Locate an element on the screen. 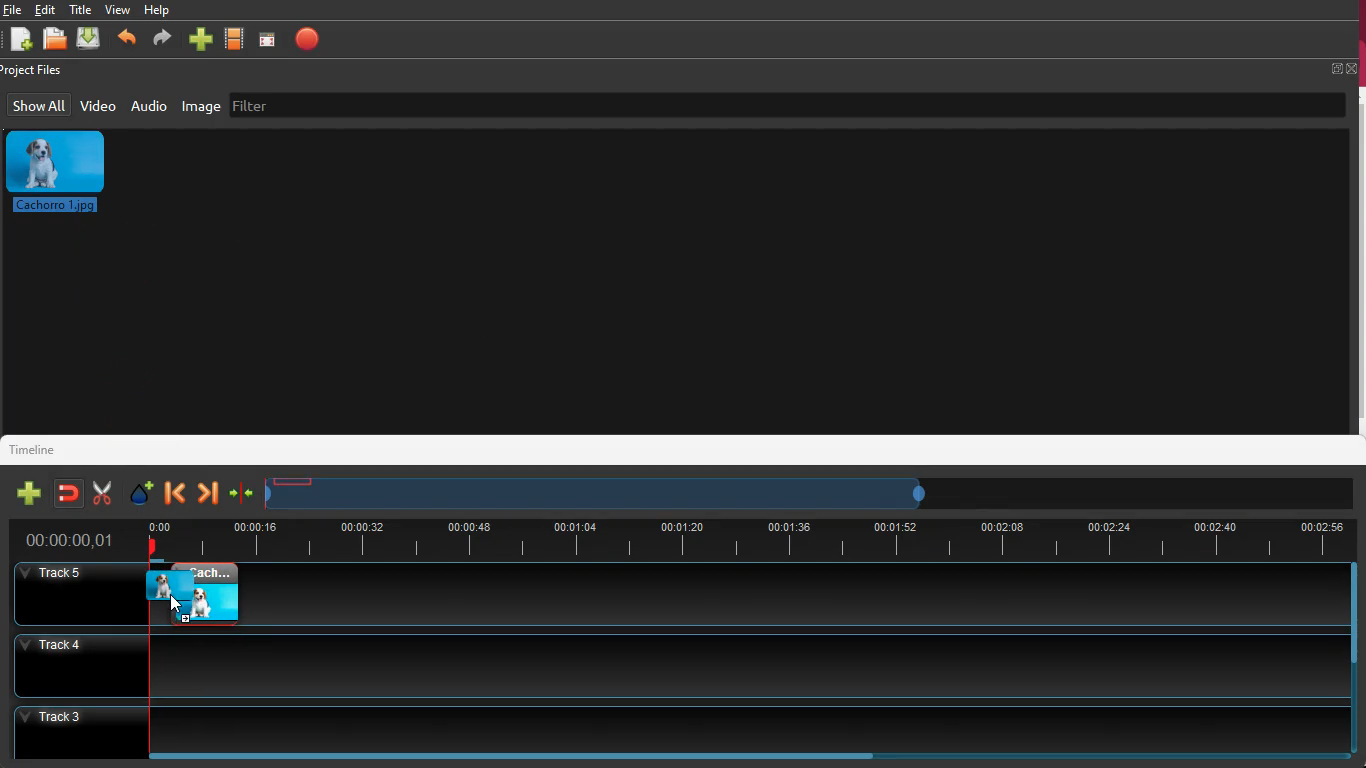  image is located at coordinates (202, 593).